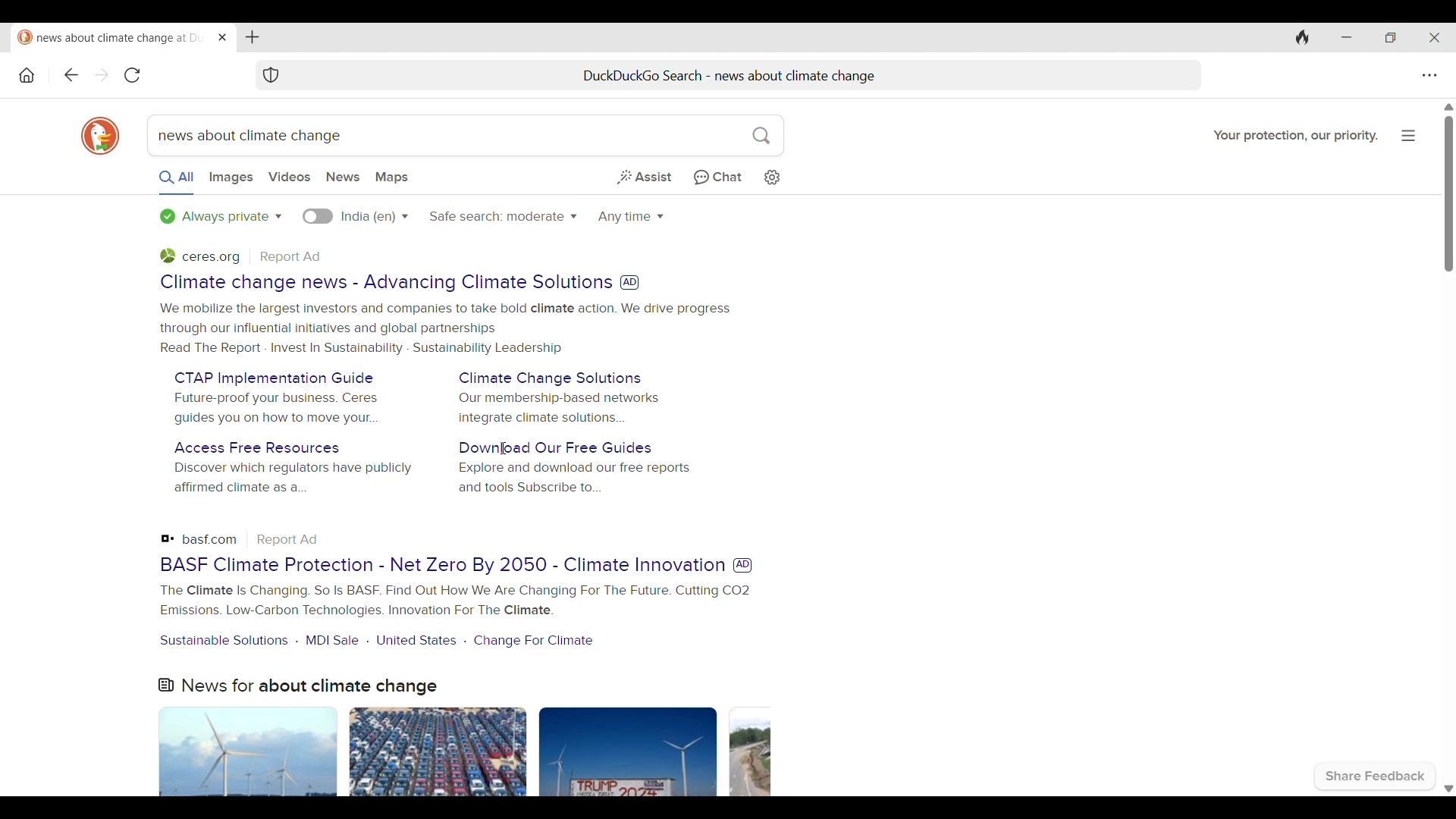 This screenshot has height=819, width=1456. What do you see at coordinates (466, 752) in the screenshot?
I see `Image results` at bounding box center [466, 752].